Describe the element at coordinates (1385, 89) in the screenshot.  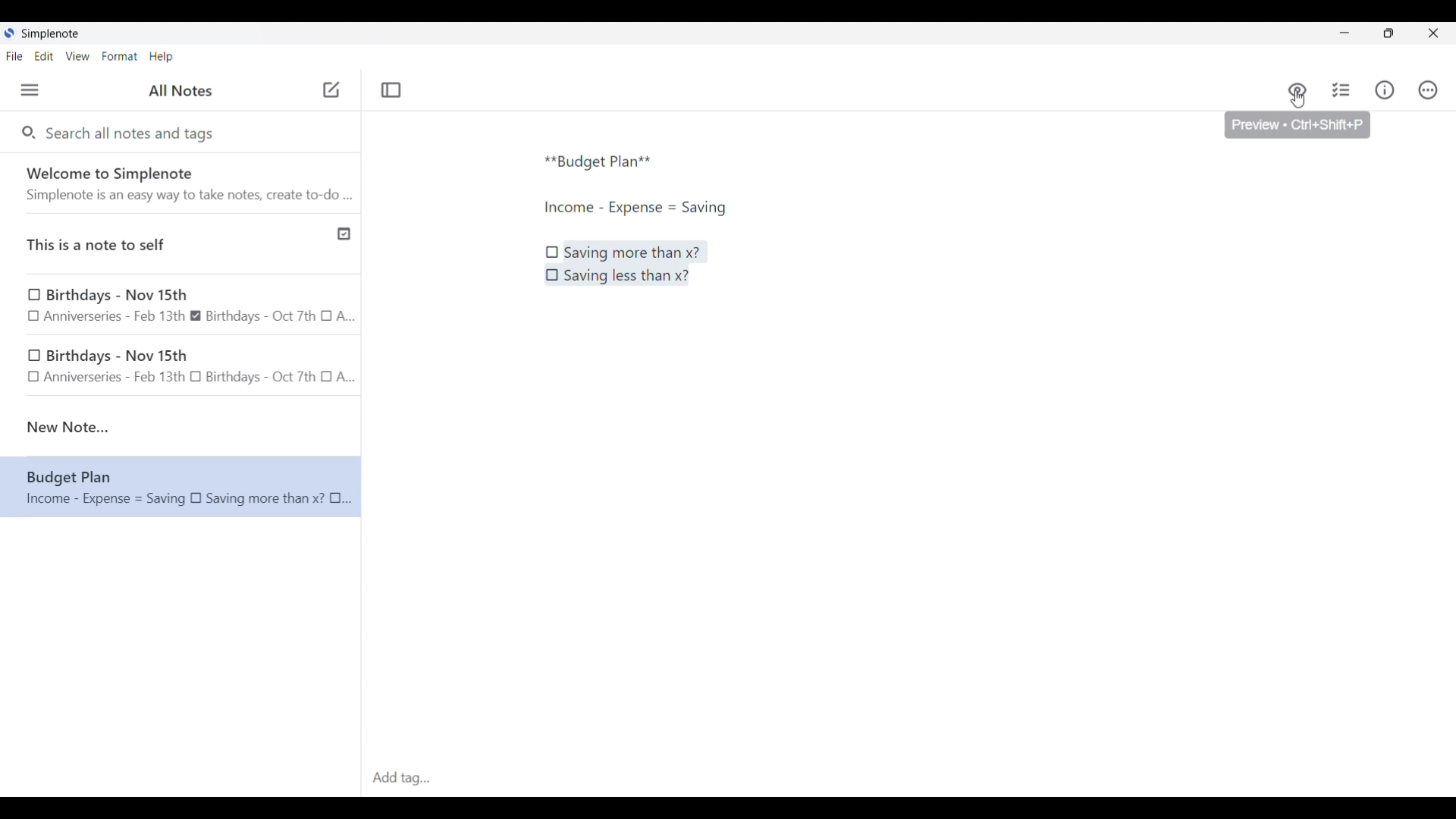
I see `Info` at that location.